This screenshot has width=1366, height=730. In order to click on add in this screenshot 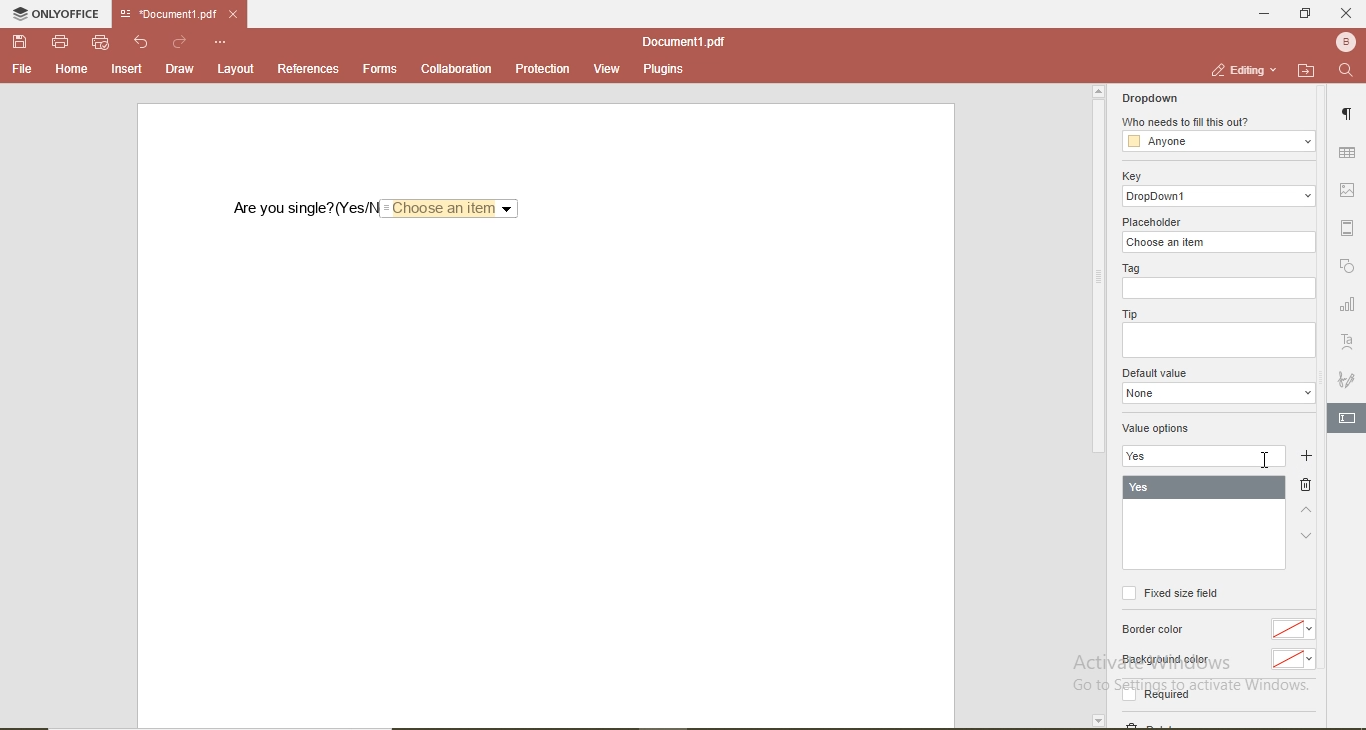, I will do `click(1309, 458)`.